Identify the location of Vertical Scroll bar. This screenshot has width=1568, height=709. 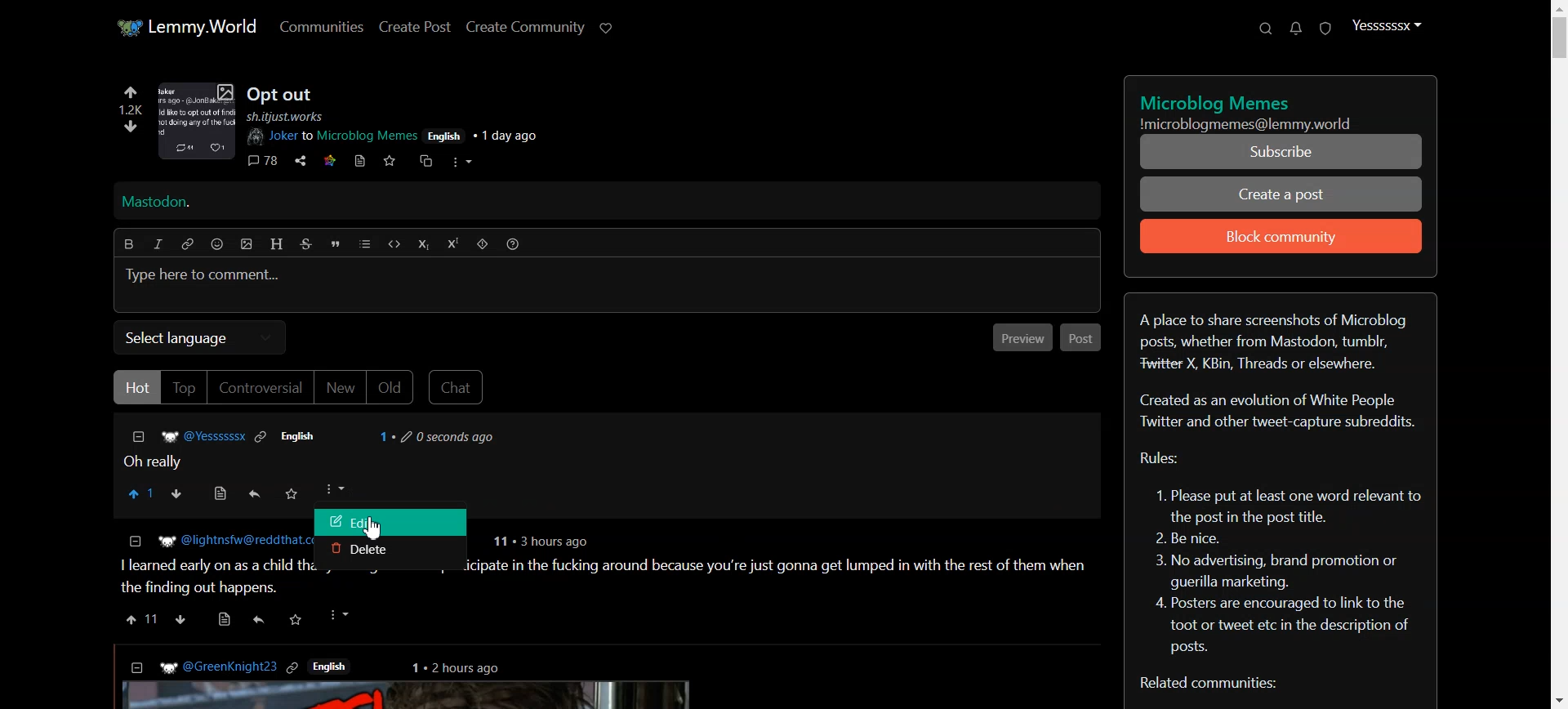
(1557, 354).